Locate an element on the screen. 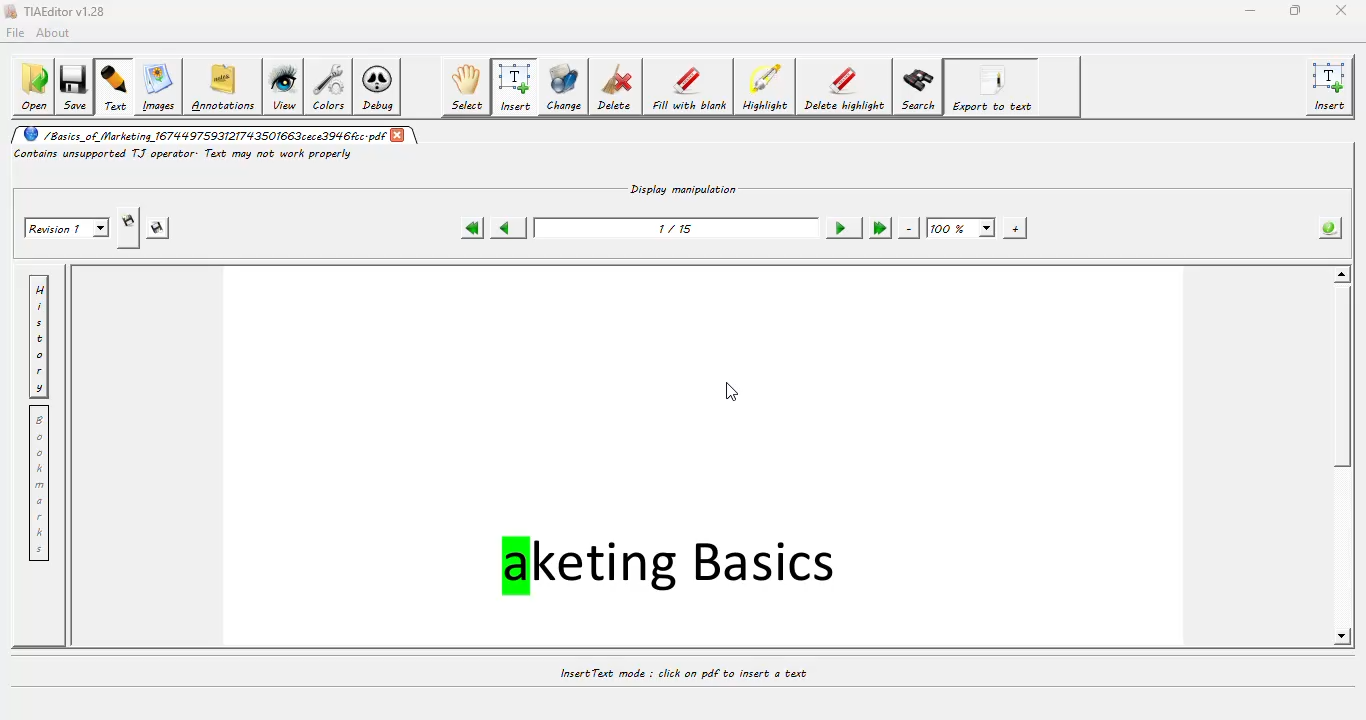 This screenshot has width=1366, height=720. delete is located at coordinates (618, 88).